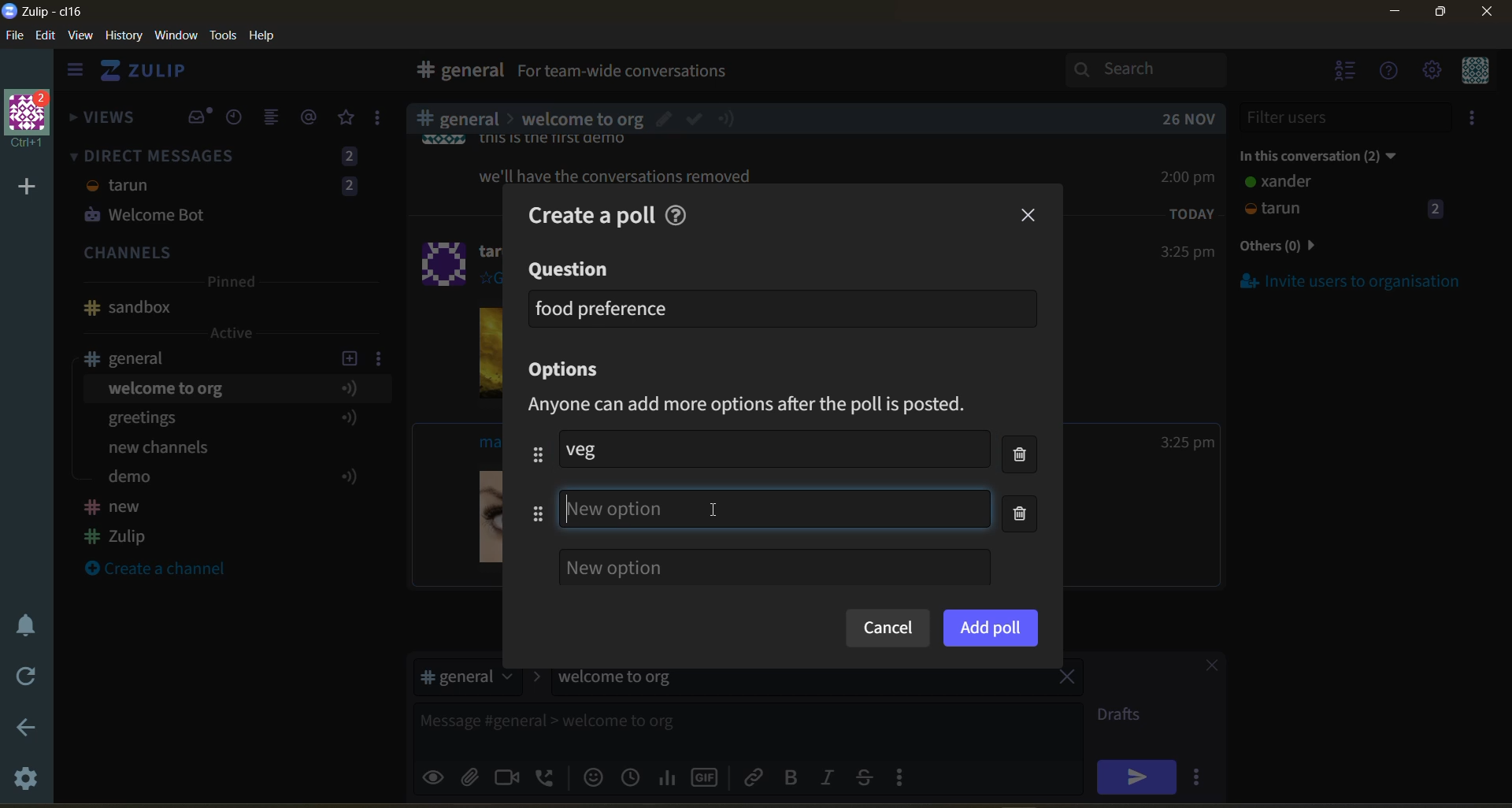 The width and height of the screenshot is (1512, 808). What do you see at coordinates (16, 39) in the screenshot?
I see `file` at bounding box center [16, 39].